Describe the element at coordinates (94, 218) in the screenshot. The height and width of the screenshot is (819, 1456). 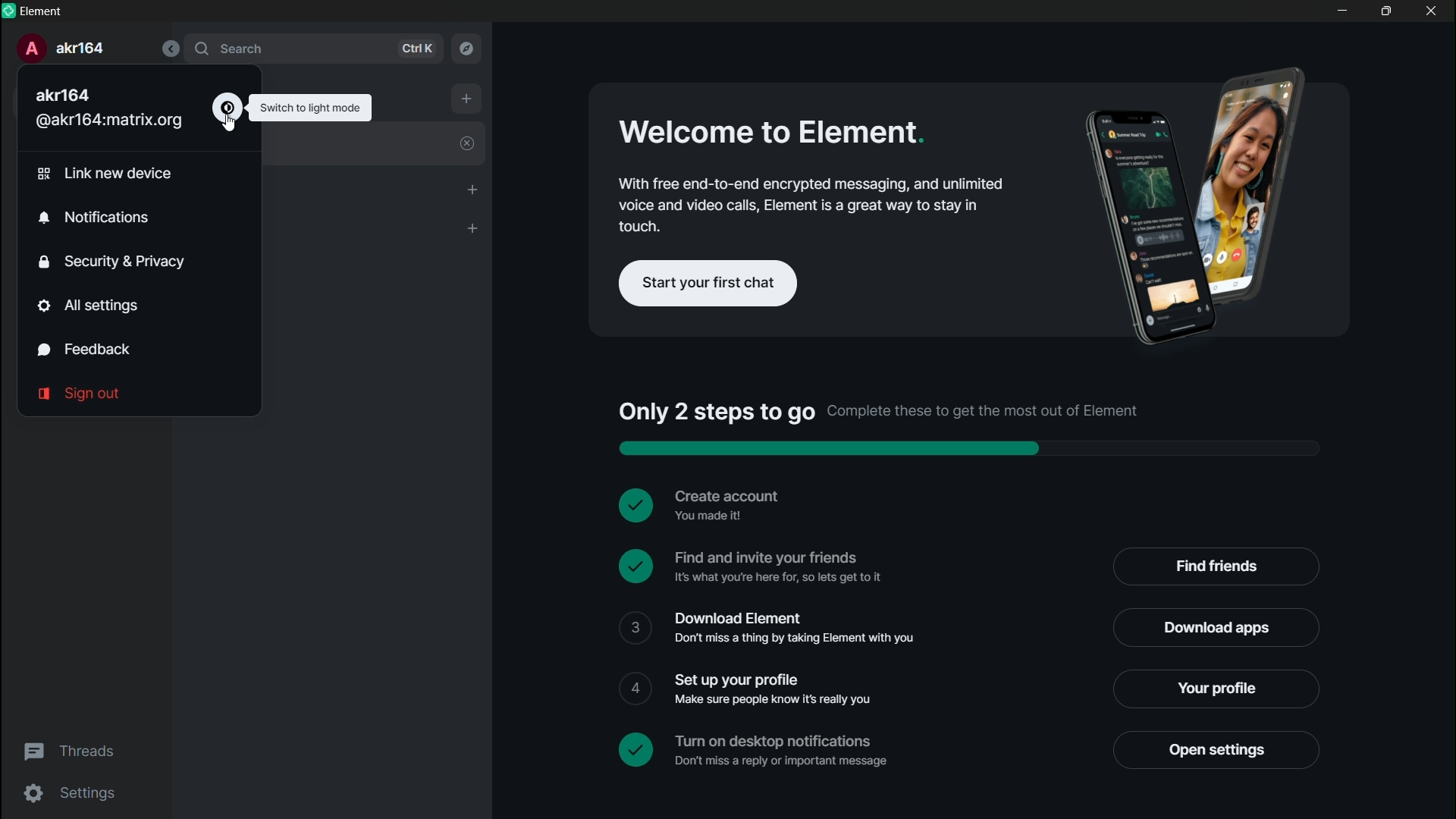
I see `notifications` at that location.